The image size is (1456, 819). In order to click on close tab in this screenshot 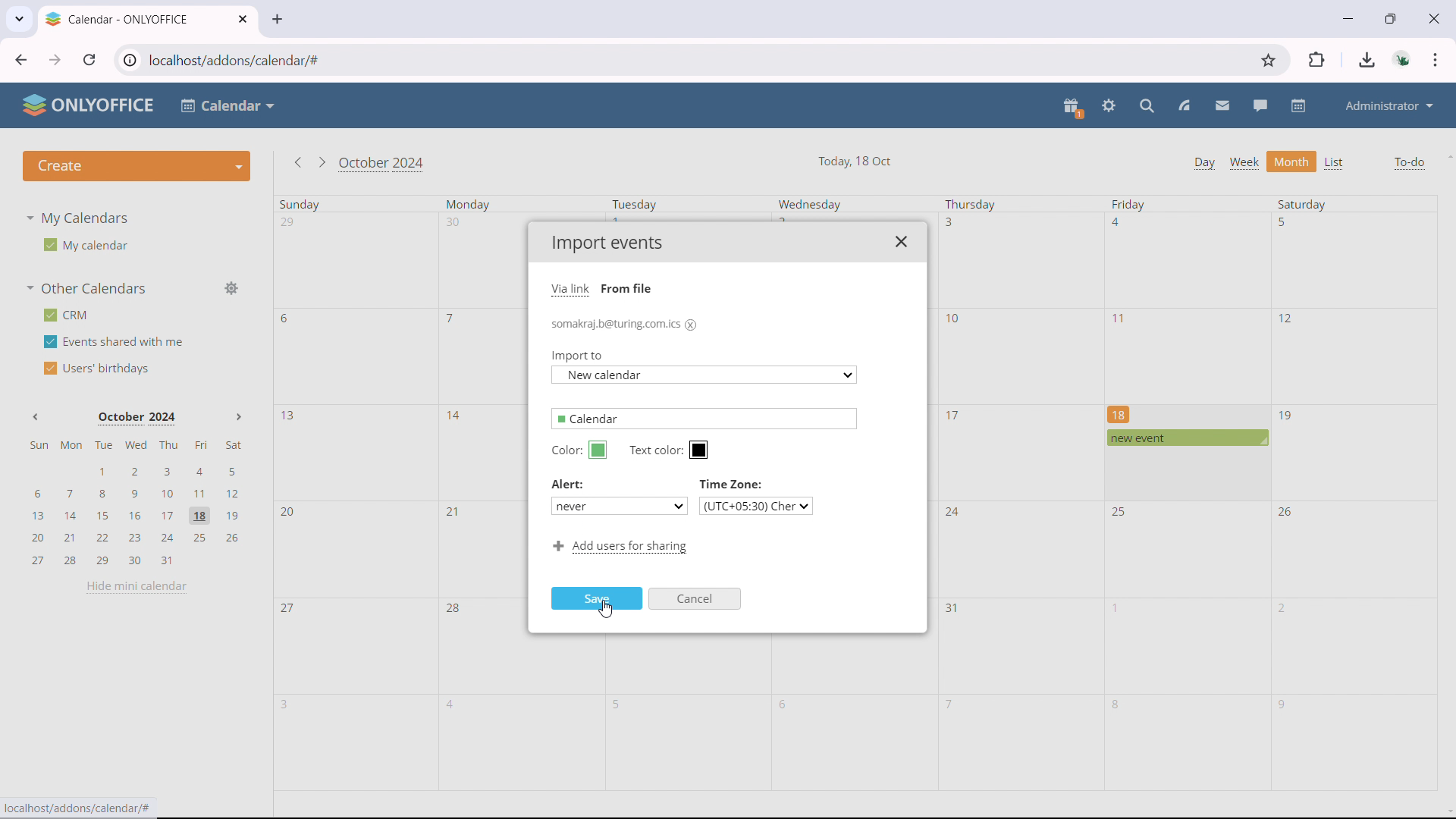, I will do `click(242, 19)`.